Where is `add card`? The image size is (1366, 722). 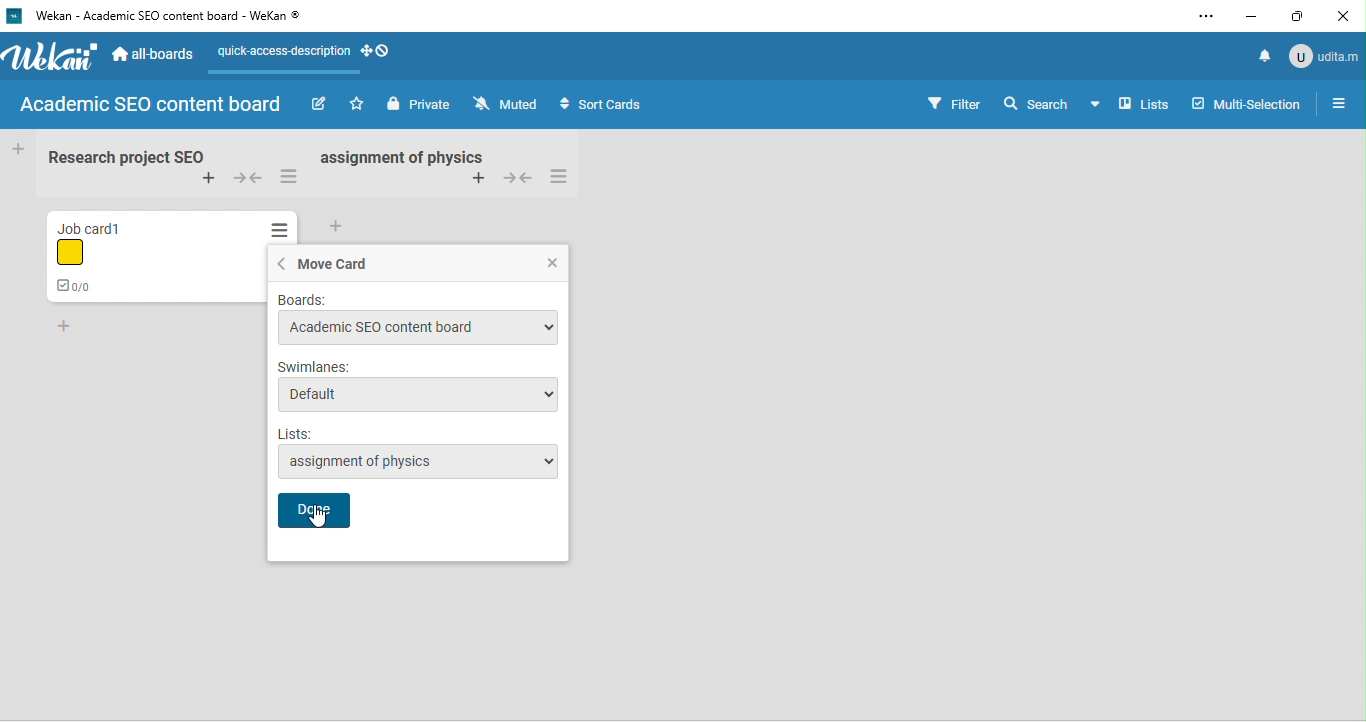
add card is located at coordinates (66, 325).